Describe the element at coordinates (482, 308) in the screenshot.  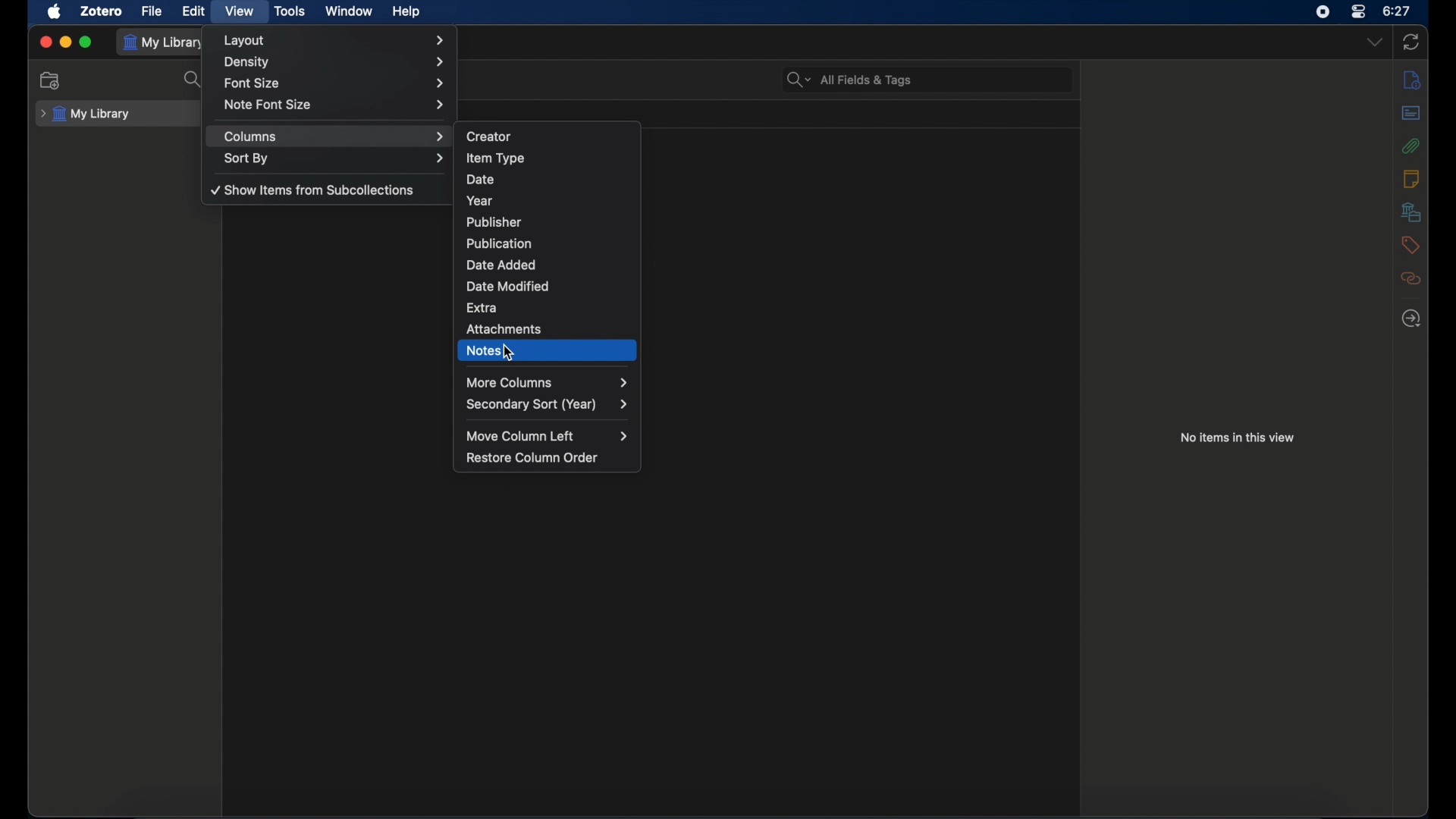
I see `extra` at that location.